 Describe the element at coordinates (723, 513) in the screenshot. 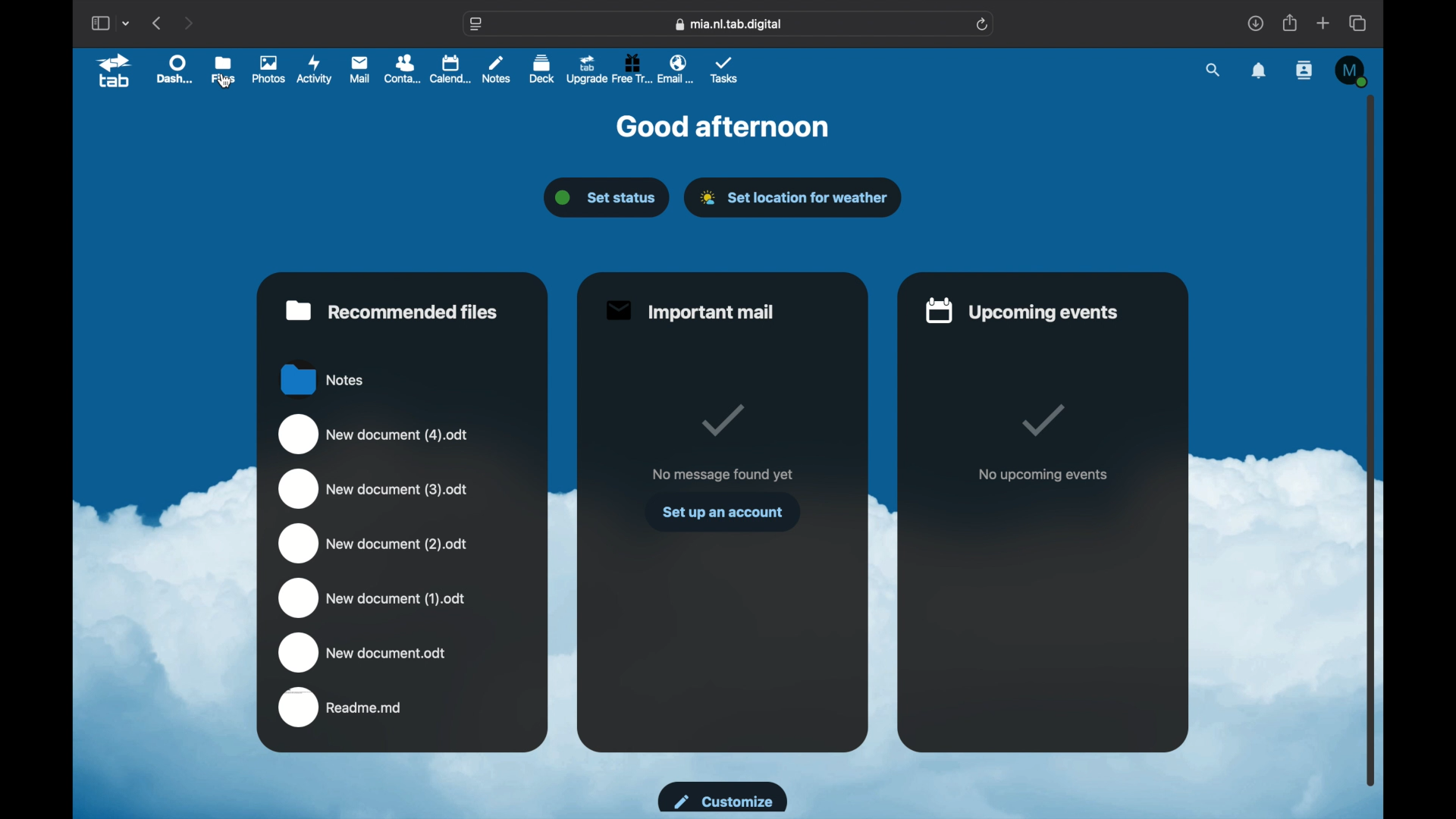

I see `set up an account` at that location.